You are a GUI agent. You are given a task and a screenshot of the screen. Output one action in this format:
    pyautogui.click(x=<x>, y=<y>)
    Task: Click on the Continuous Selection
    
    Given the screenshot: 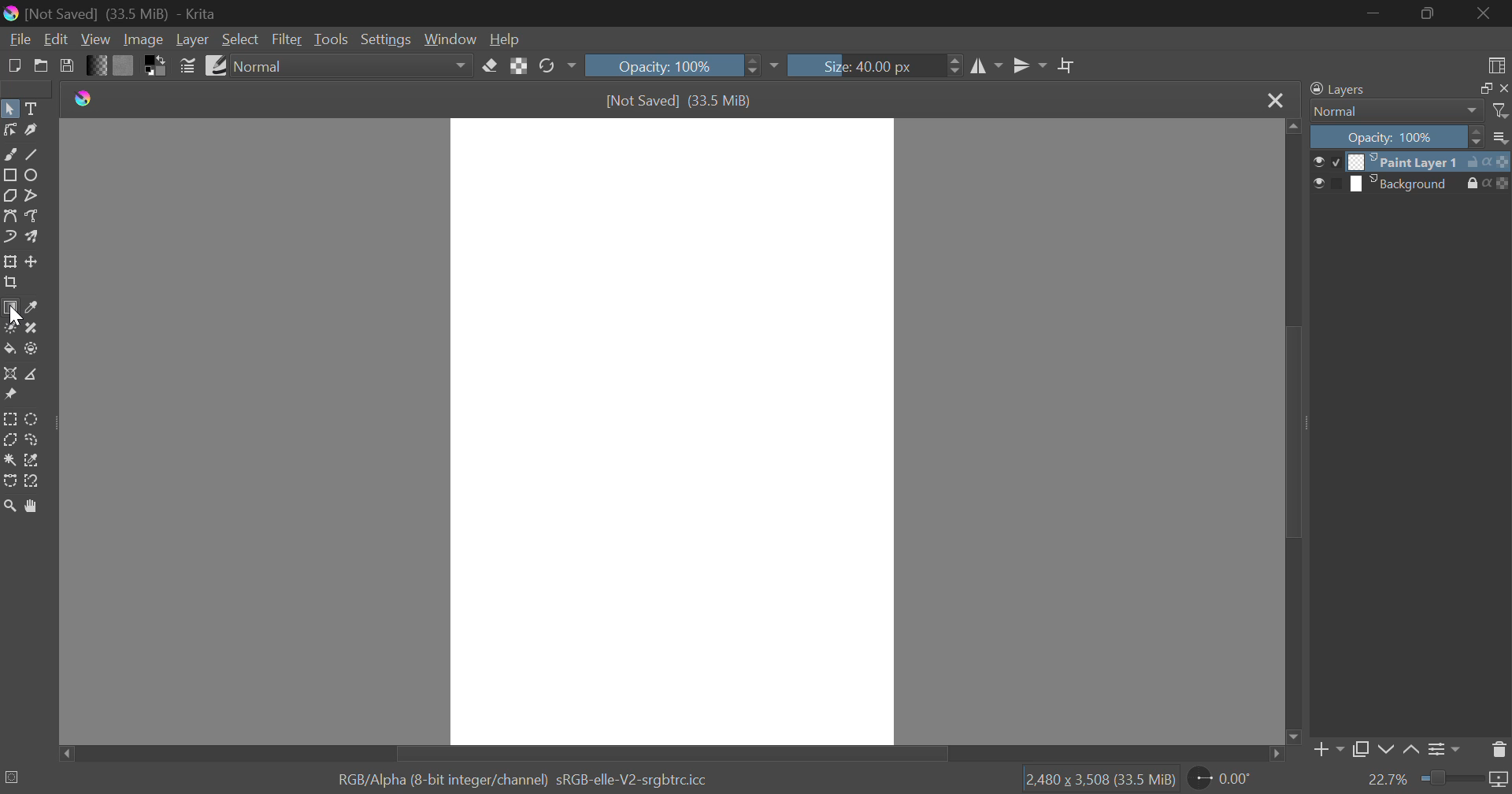 What is the action you would take?
    pyautogui.click(x=9, y=459)
    